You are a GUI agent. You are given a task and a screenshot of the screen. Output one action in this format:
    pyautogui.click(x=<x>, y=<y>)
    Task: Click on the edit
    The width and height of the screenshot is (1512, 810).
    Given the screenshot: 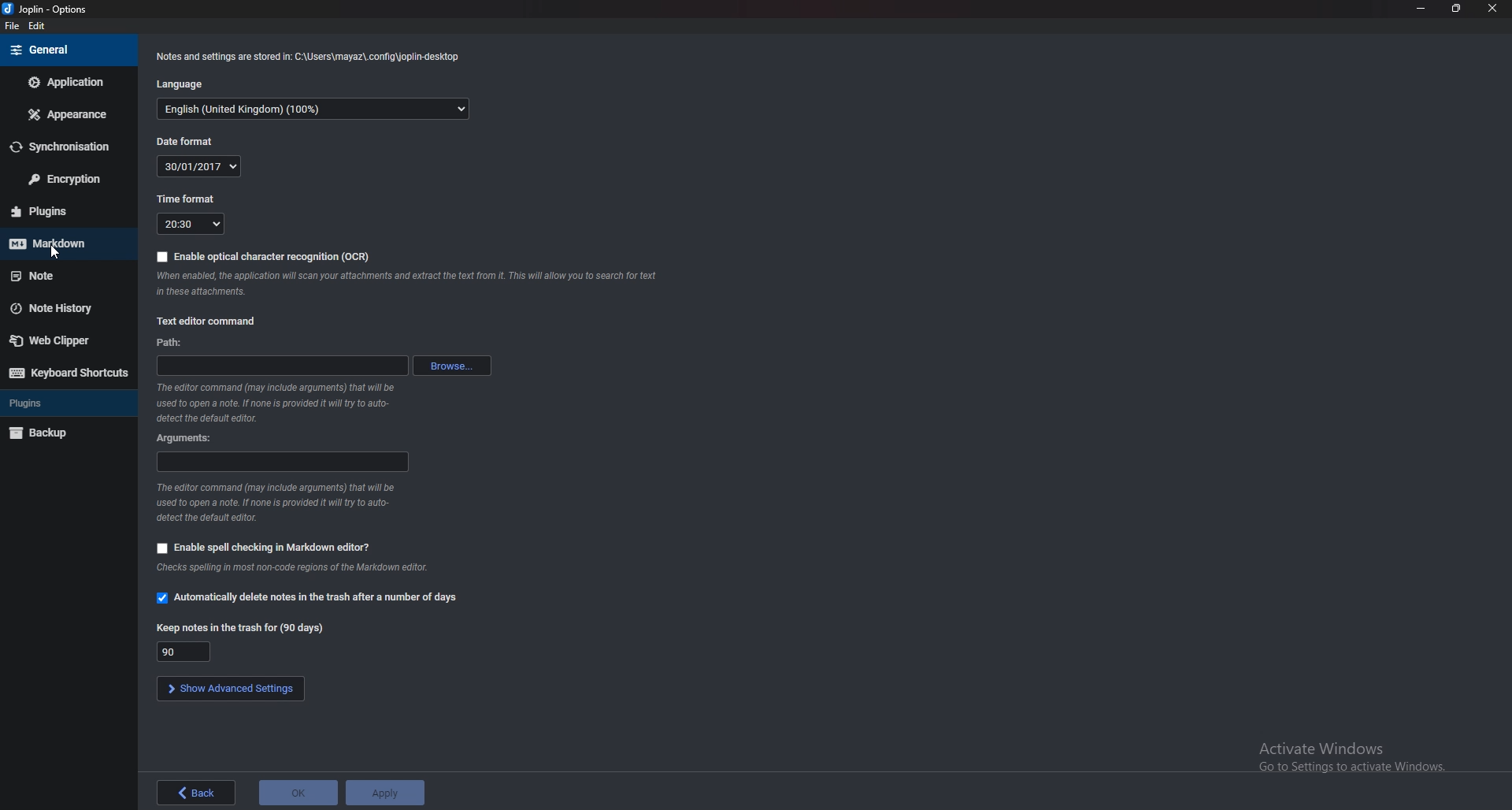 What is the action you would take?
    pyautogui.click(x=38, y=25)
    